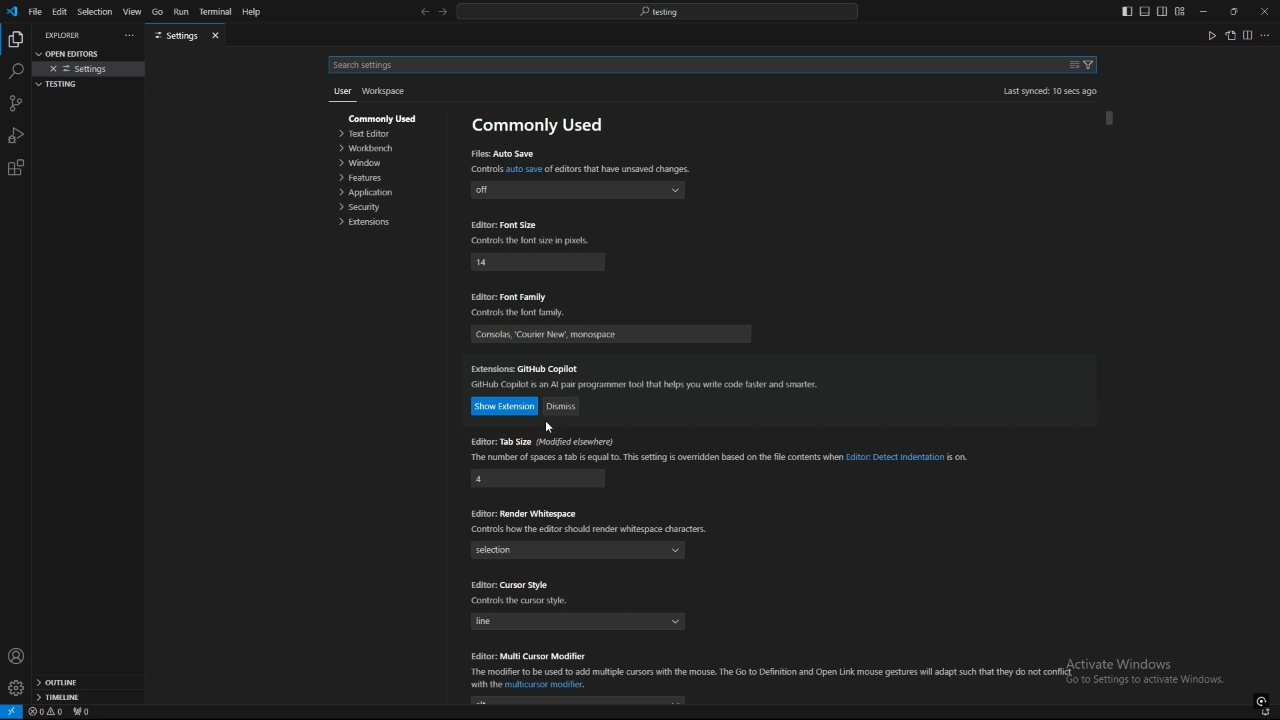 The image size is (1280, 720). I want to click on open settings, so click(1230, 35).